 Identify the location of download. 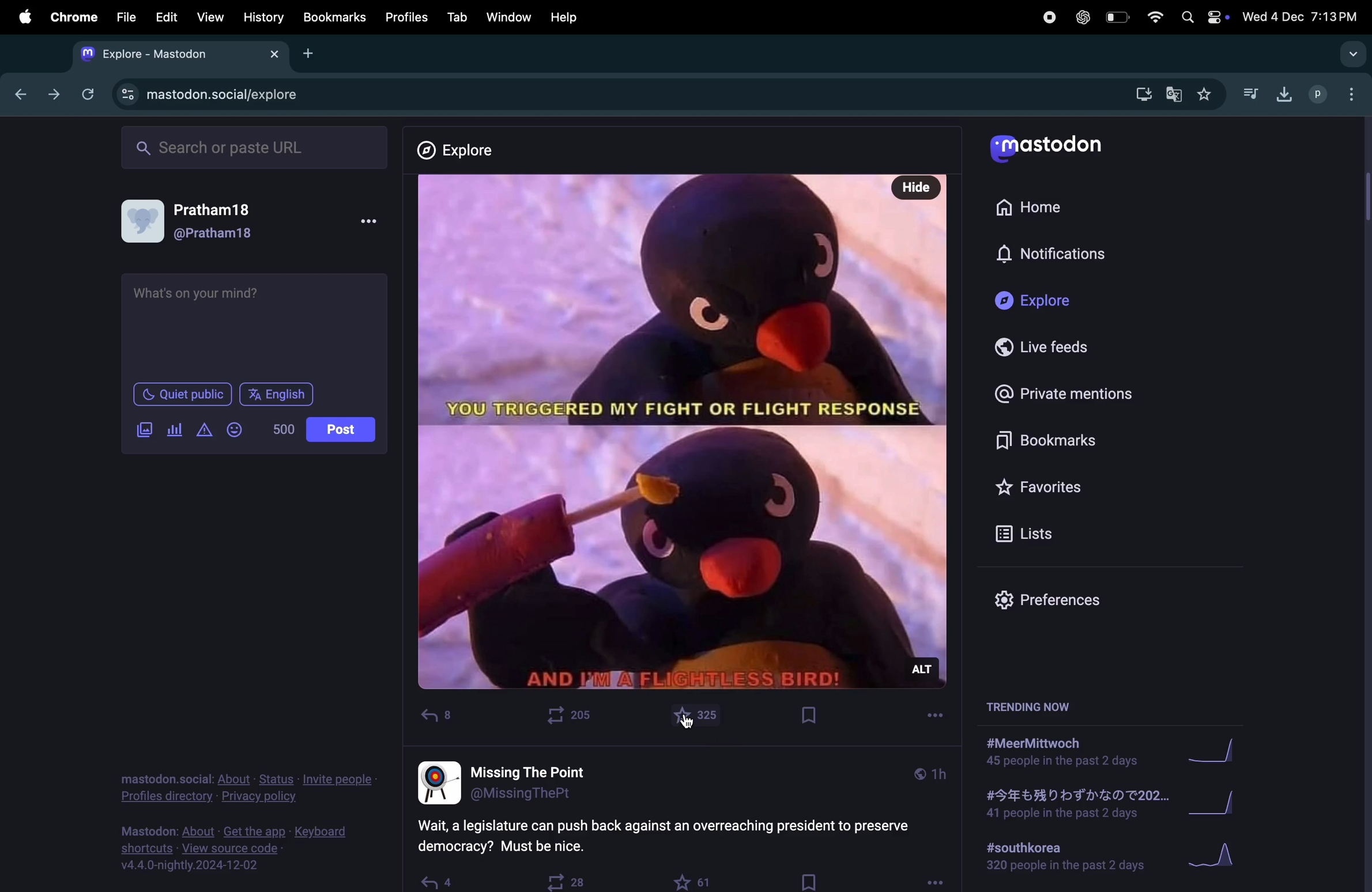
(1139, 92).